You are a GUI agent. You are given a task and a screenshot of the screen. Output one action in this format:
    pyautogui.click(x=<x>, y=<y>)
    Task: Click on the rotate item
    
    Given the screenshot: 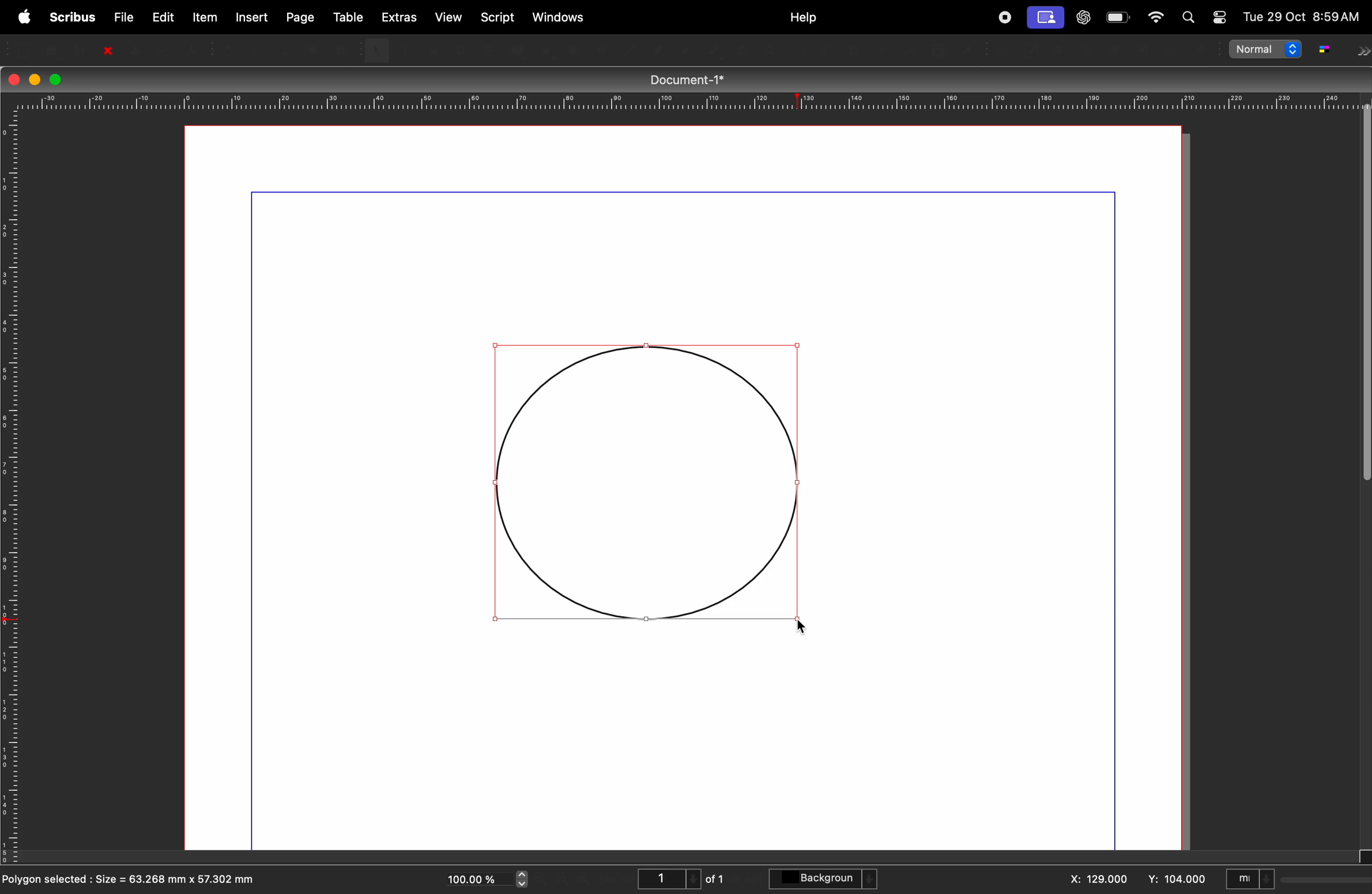 What is the action you would take?
    pyautogui.click(x=742, y=51)
    